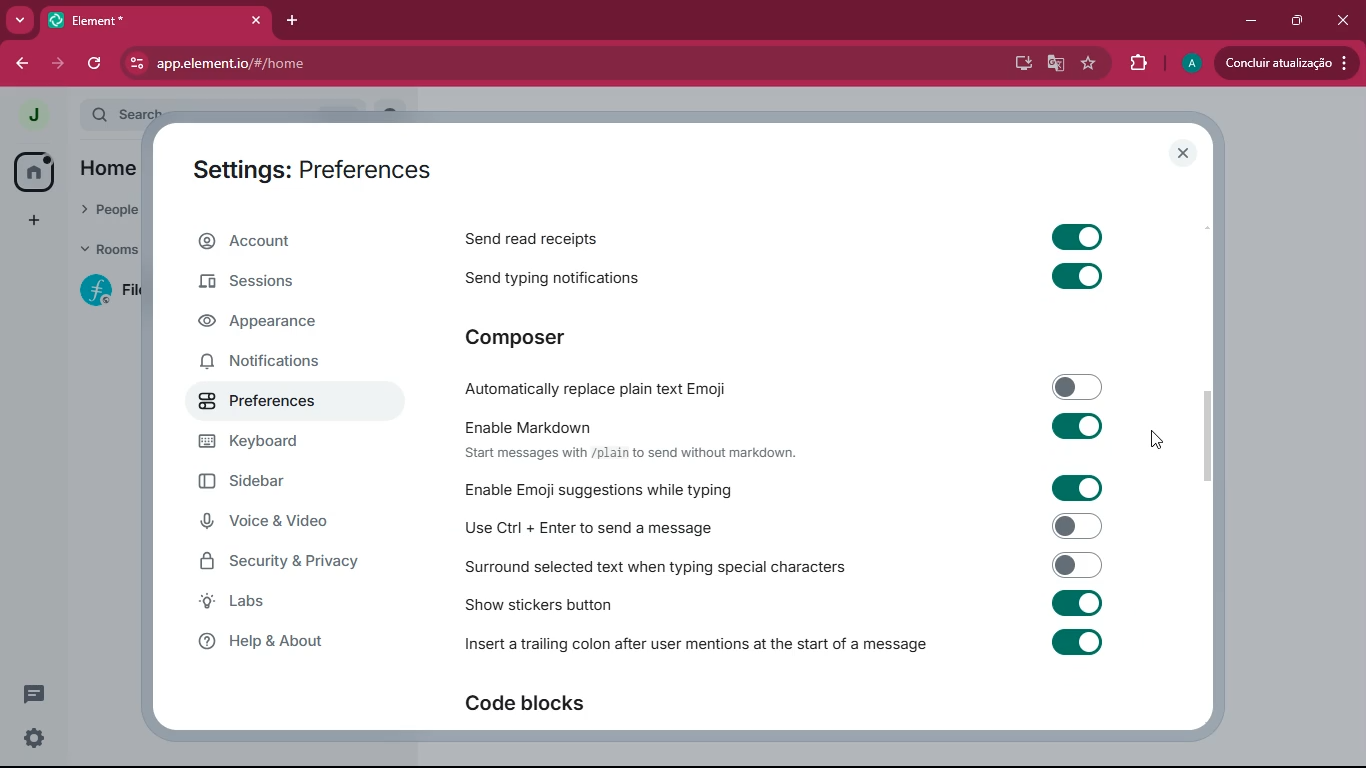 This screenshot has height=768, width=1366. I want to click on minimize, so click(1247, 21).